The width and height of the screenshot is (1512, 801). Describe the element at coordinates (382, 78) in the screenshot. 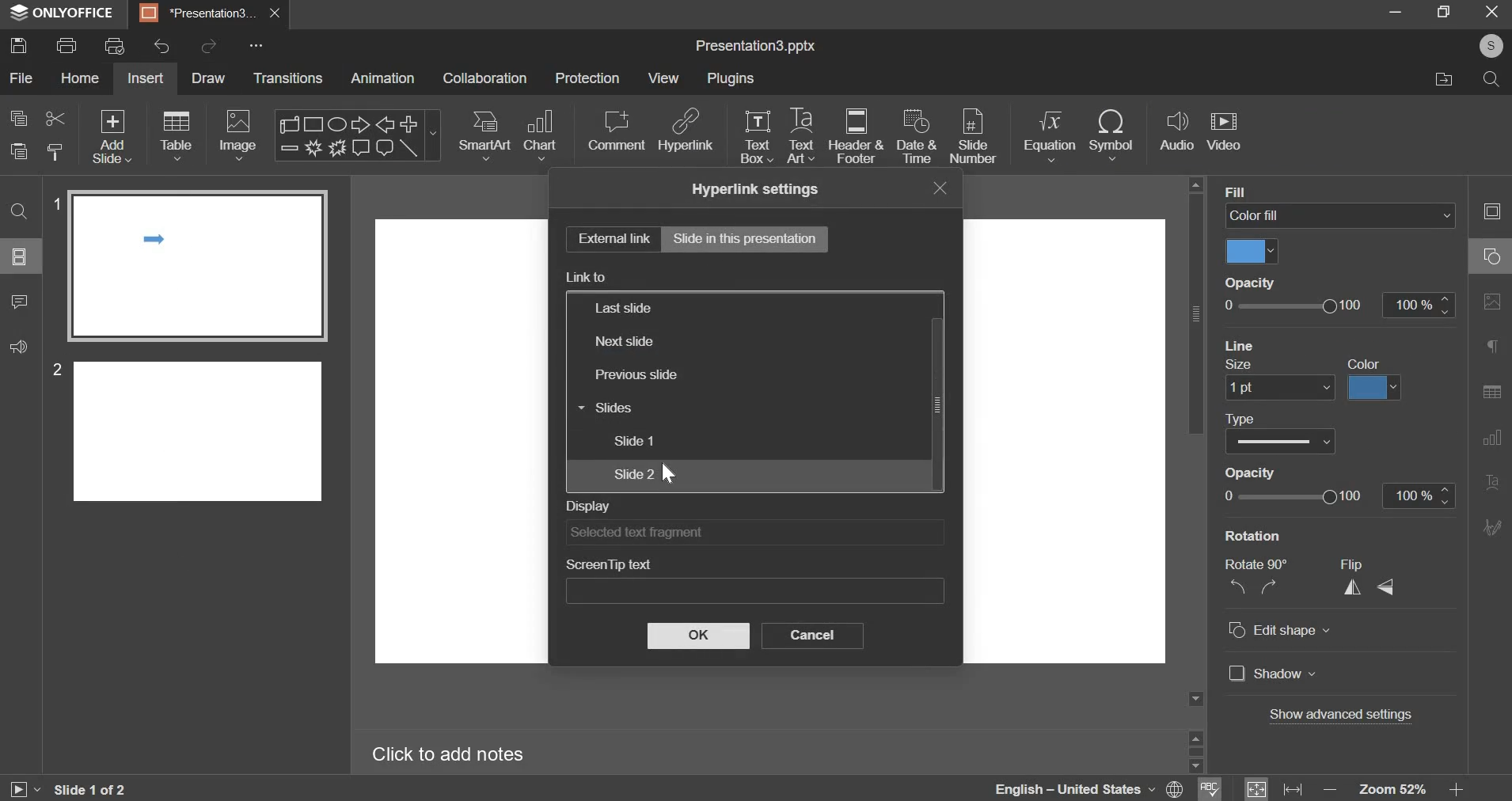

I see `animation` at that location.